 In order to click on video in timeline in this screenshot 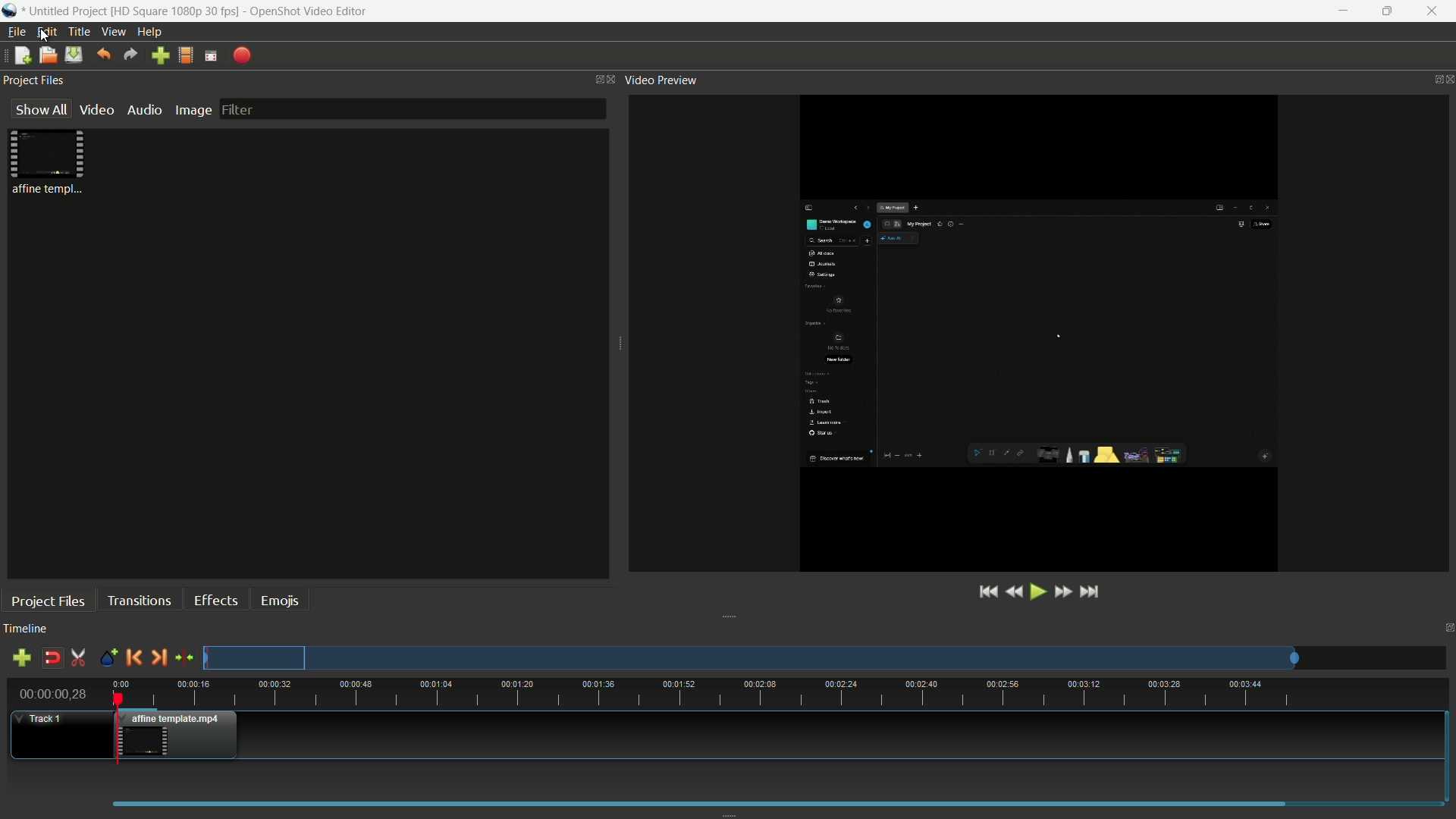, I will do `click(180, 735)`.